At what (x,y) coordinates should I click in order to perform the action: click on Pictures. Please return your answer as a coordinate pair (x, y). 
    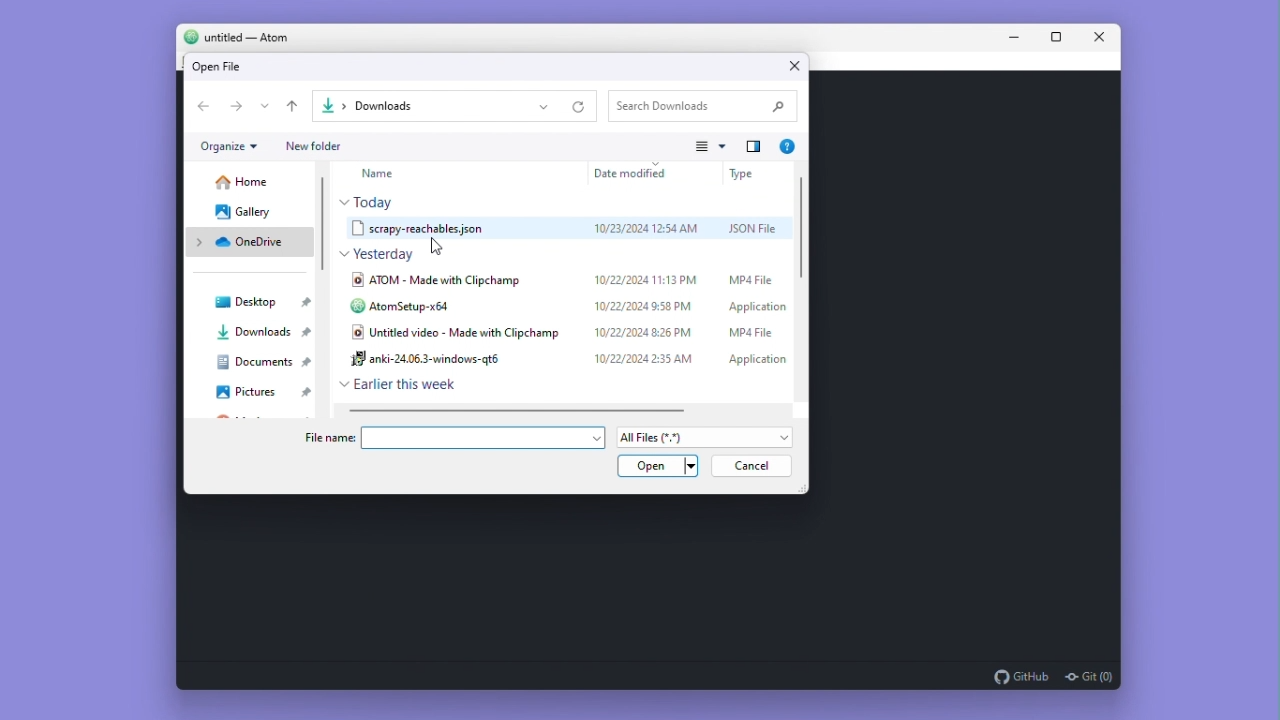
    Looking at the image, I should click on (265, 392).